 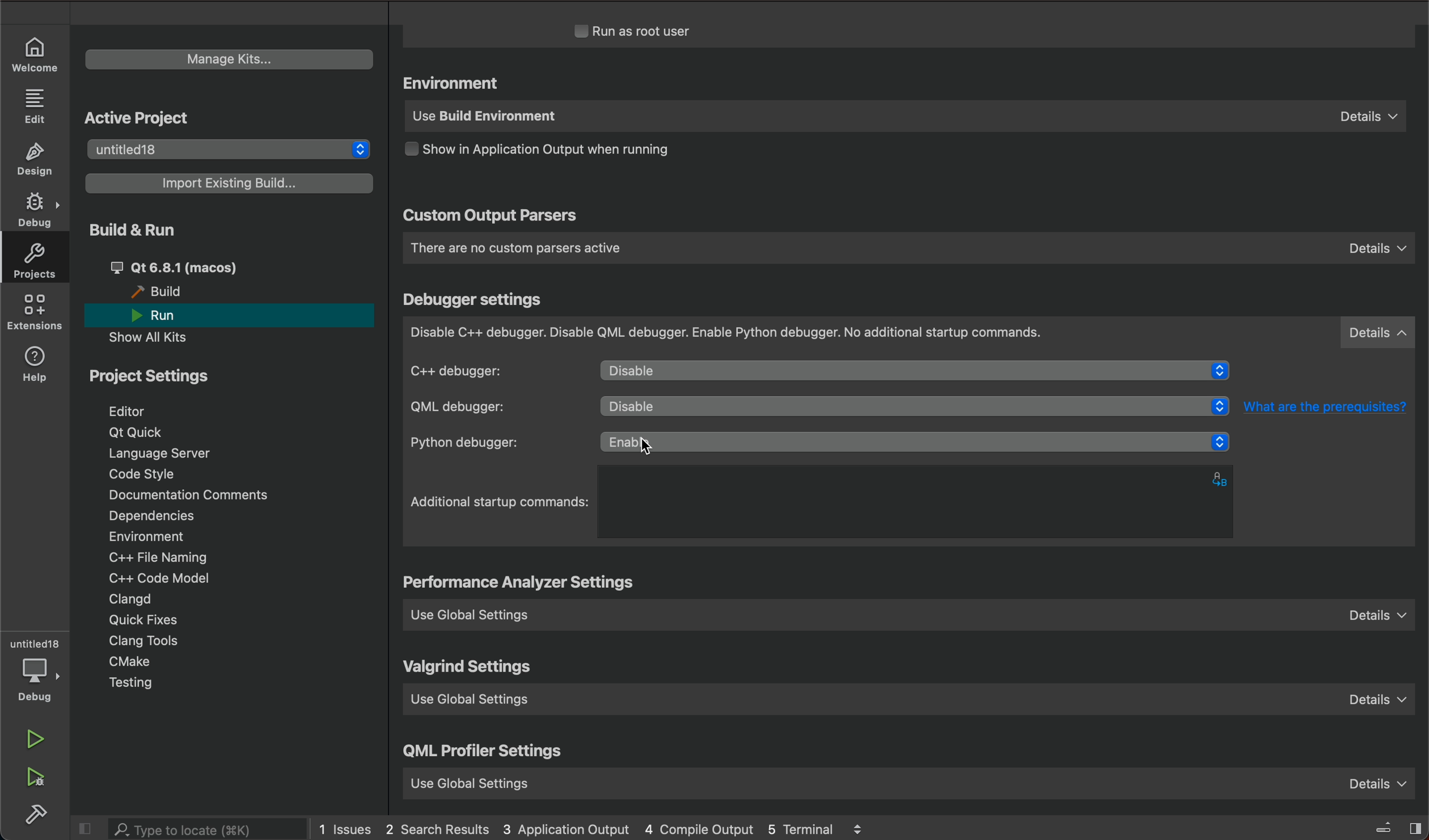 What do you see at coordinates (914, 408) in the screenshot?
I see `disabled` at bounding box center [914, 408].